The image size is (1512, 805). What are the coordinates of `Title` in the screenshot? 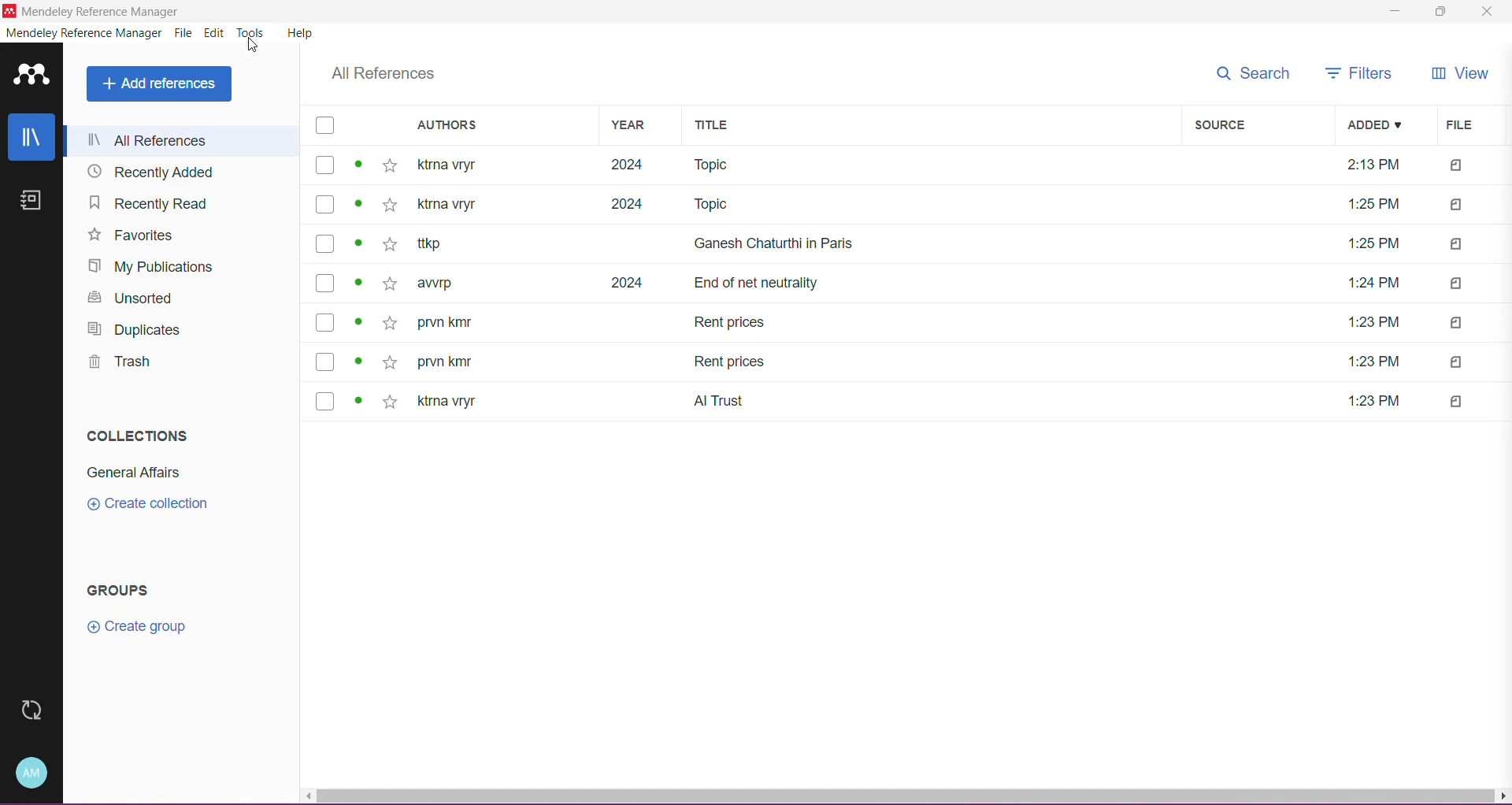 It's located at (754, 284).